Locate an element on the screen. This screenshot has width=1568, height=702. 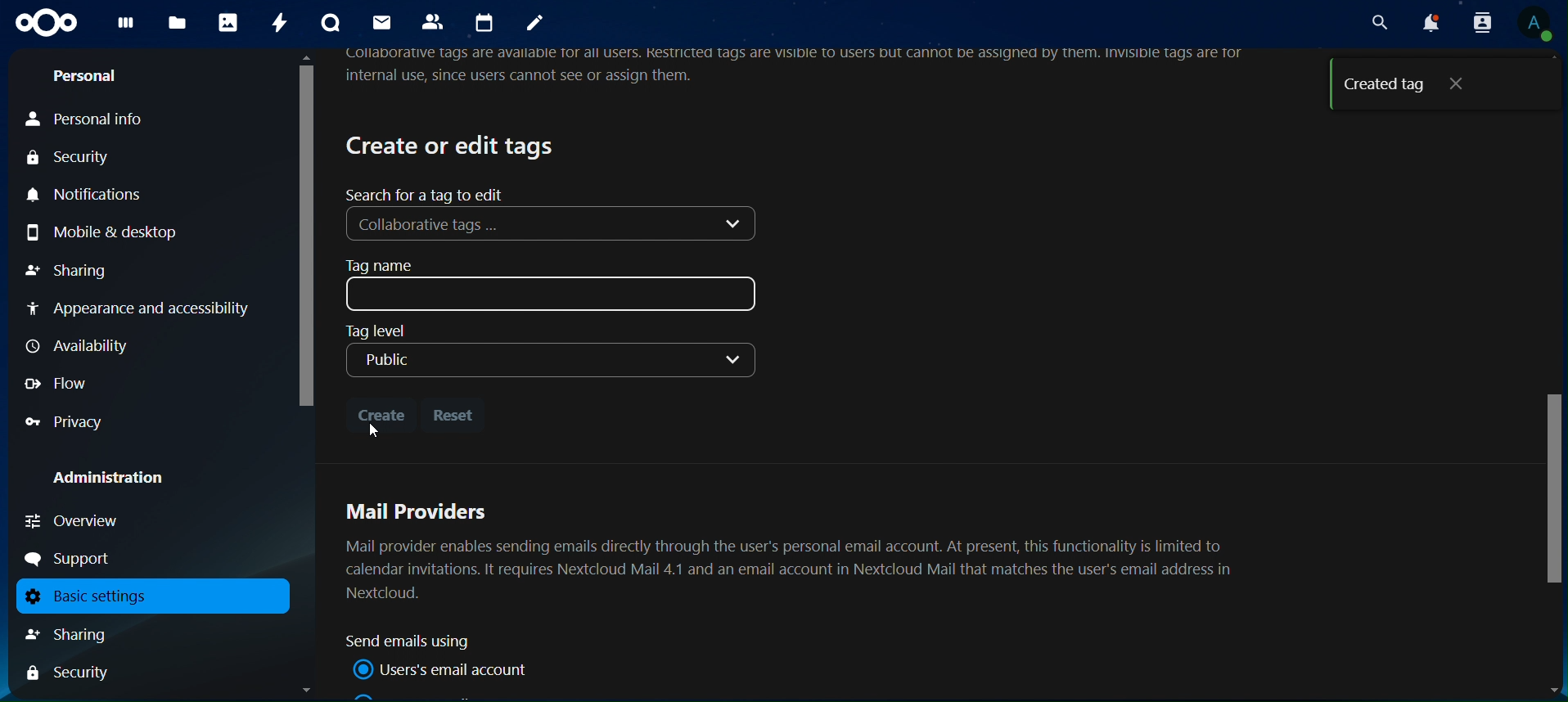
contacts is located at coordinates (436, 23).